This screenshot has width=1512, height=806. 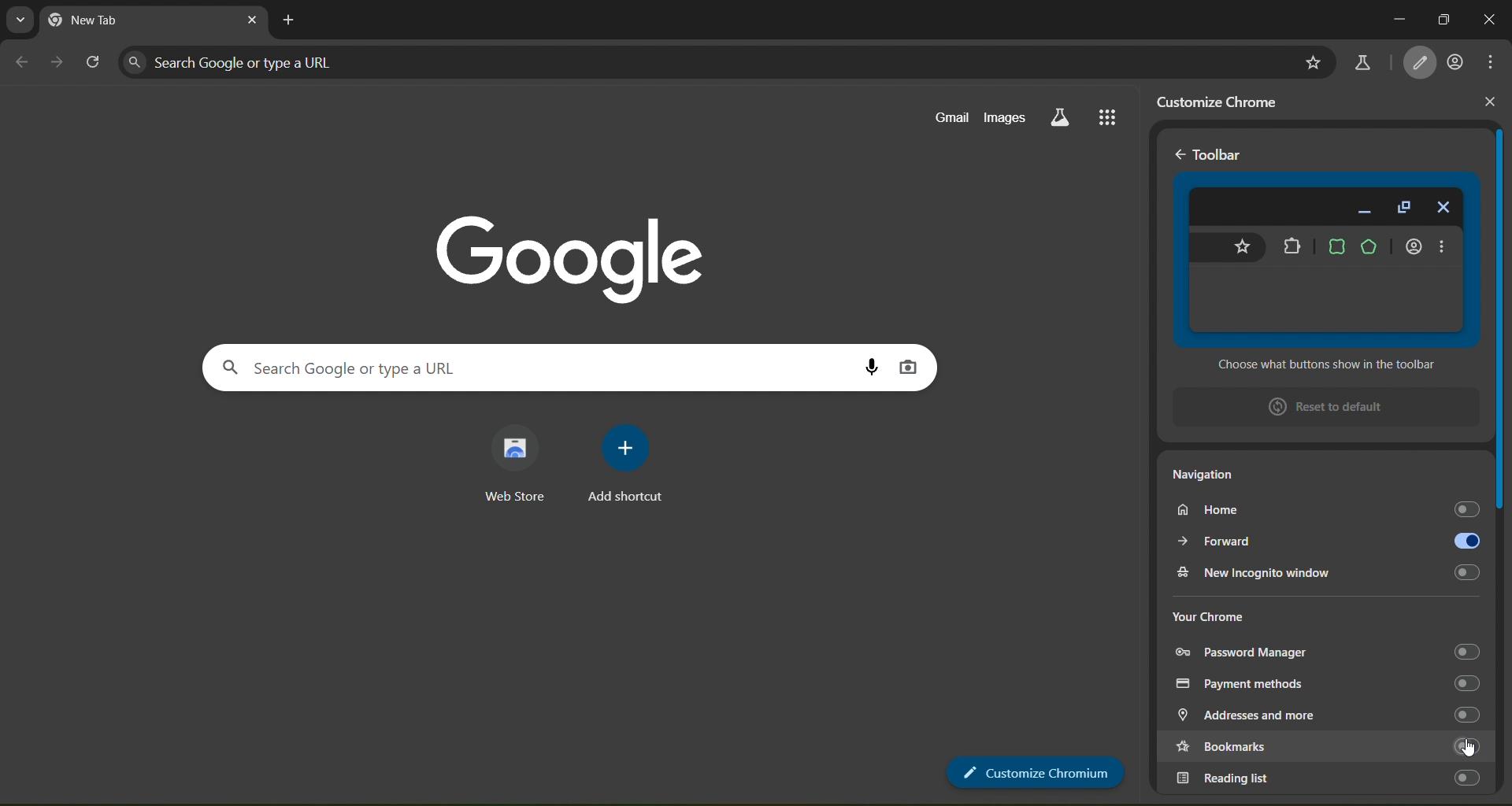 I want to click on forward, so click(x=1328, y=541).